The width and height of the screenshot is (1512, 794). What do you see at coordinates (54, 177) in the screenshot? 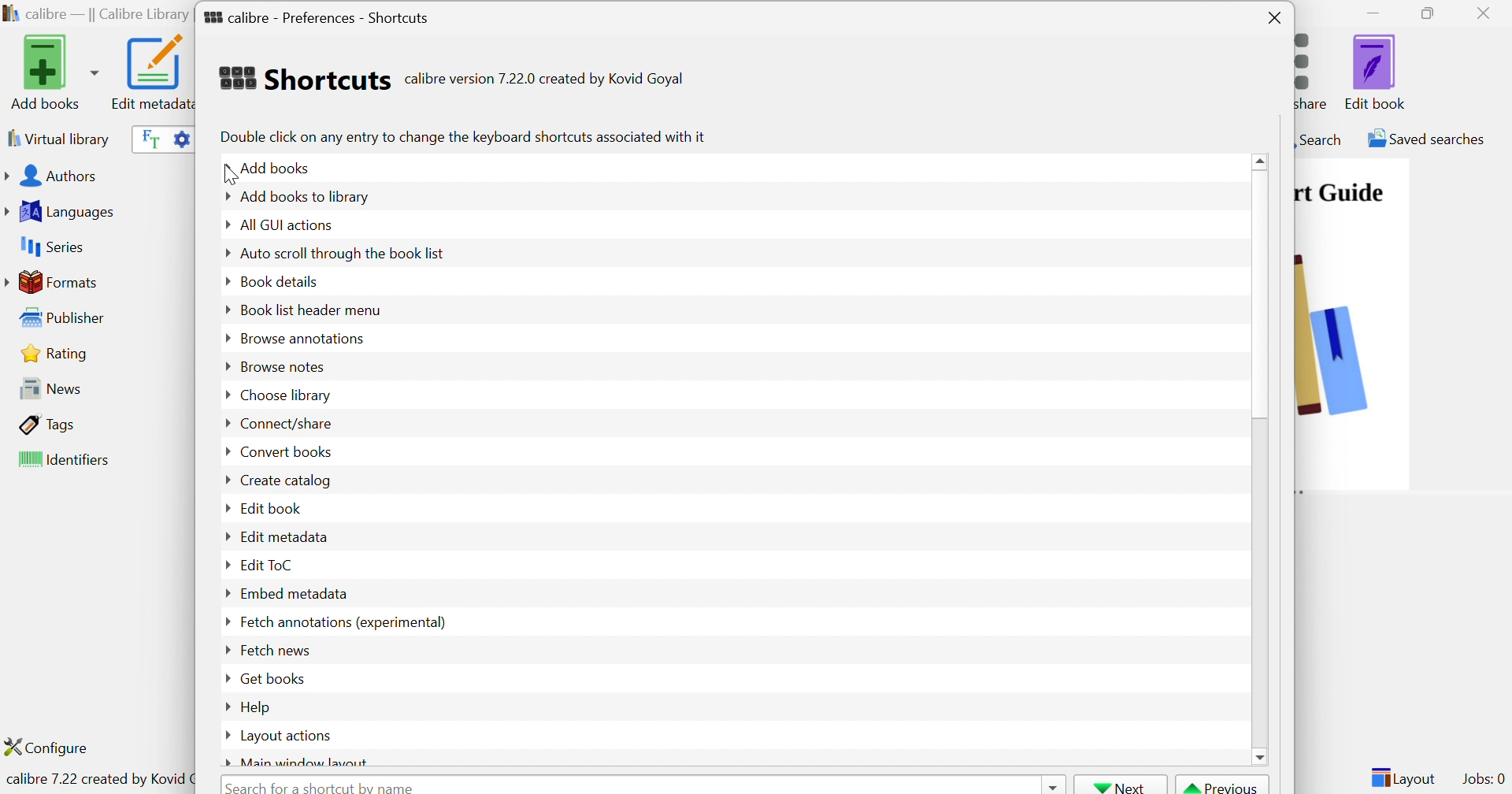
I see `Authors` at bounding box center [54, 177].